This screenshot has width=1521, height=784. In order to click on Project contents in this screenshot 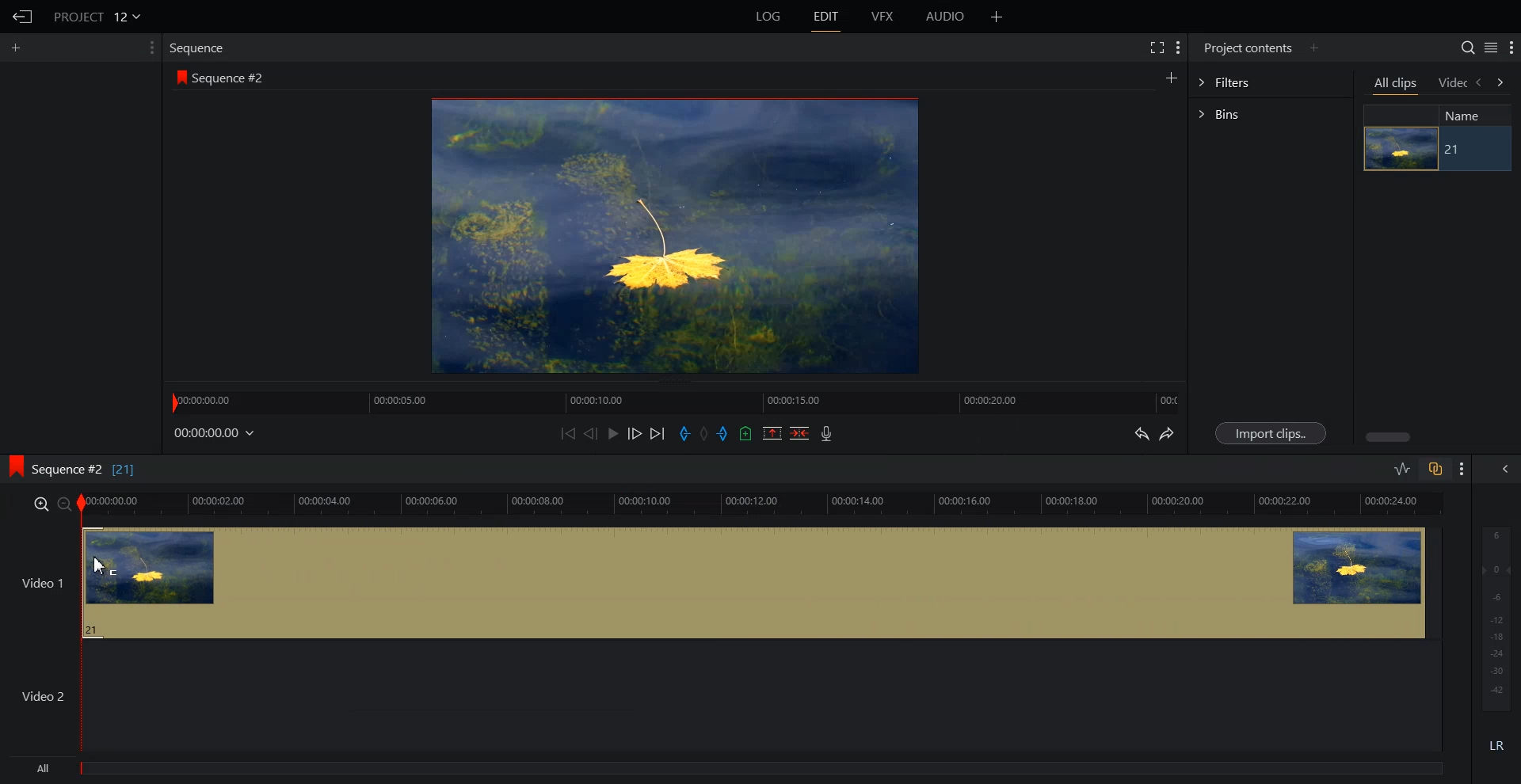, I will do `click(1245, 48)`.